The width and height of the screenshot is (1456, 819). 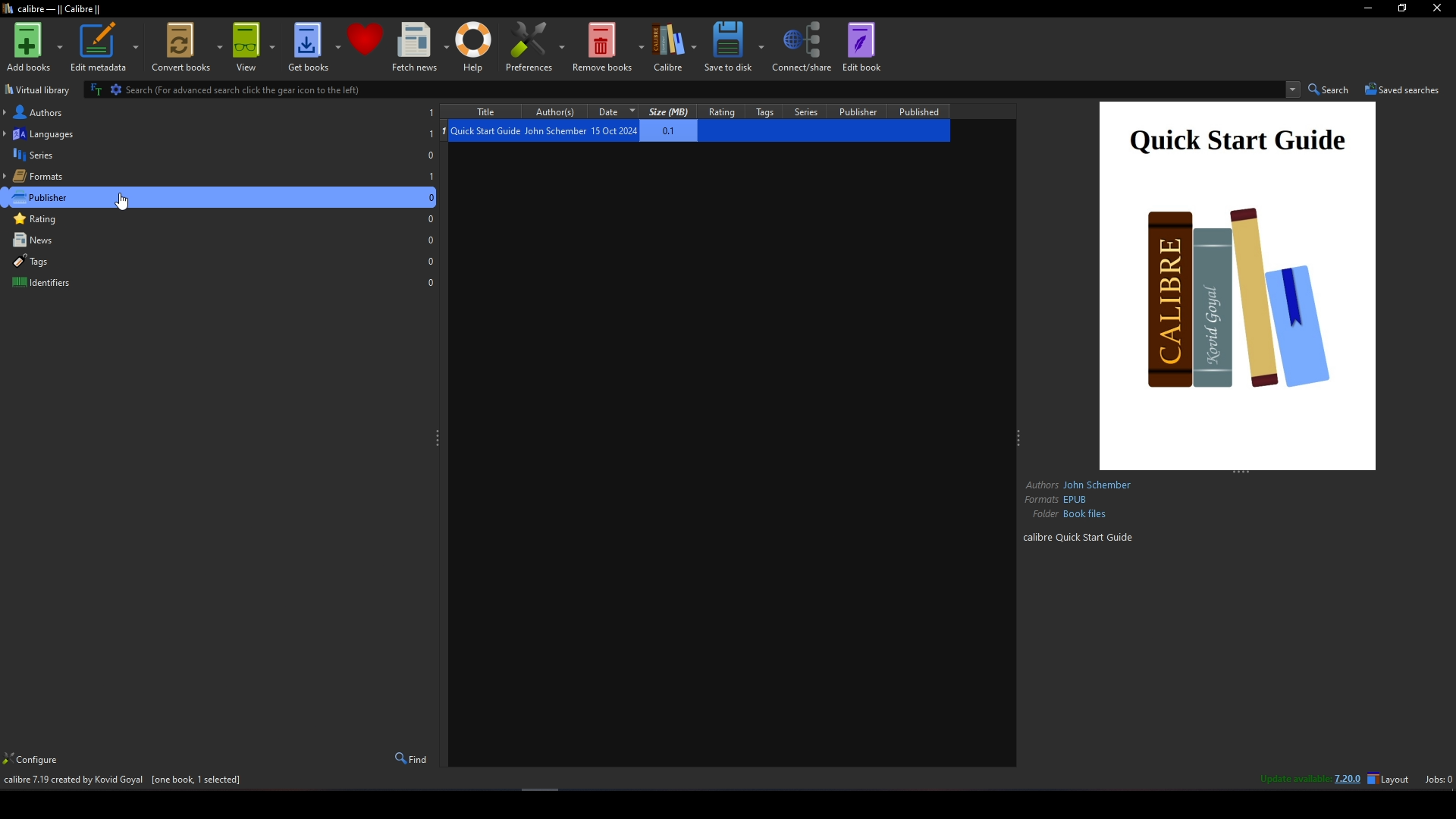 I want to click on Search full text, so click(x=94, y=89).